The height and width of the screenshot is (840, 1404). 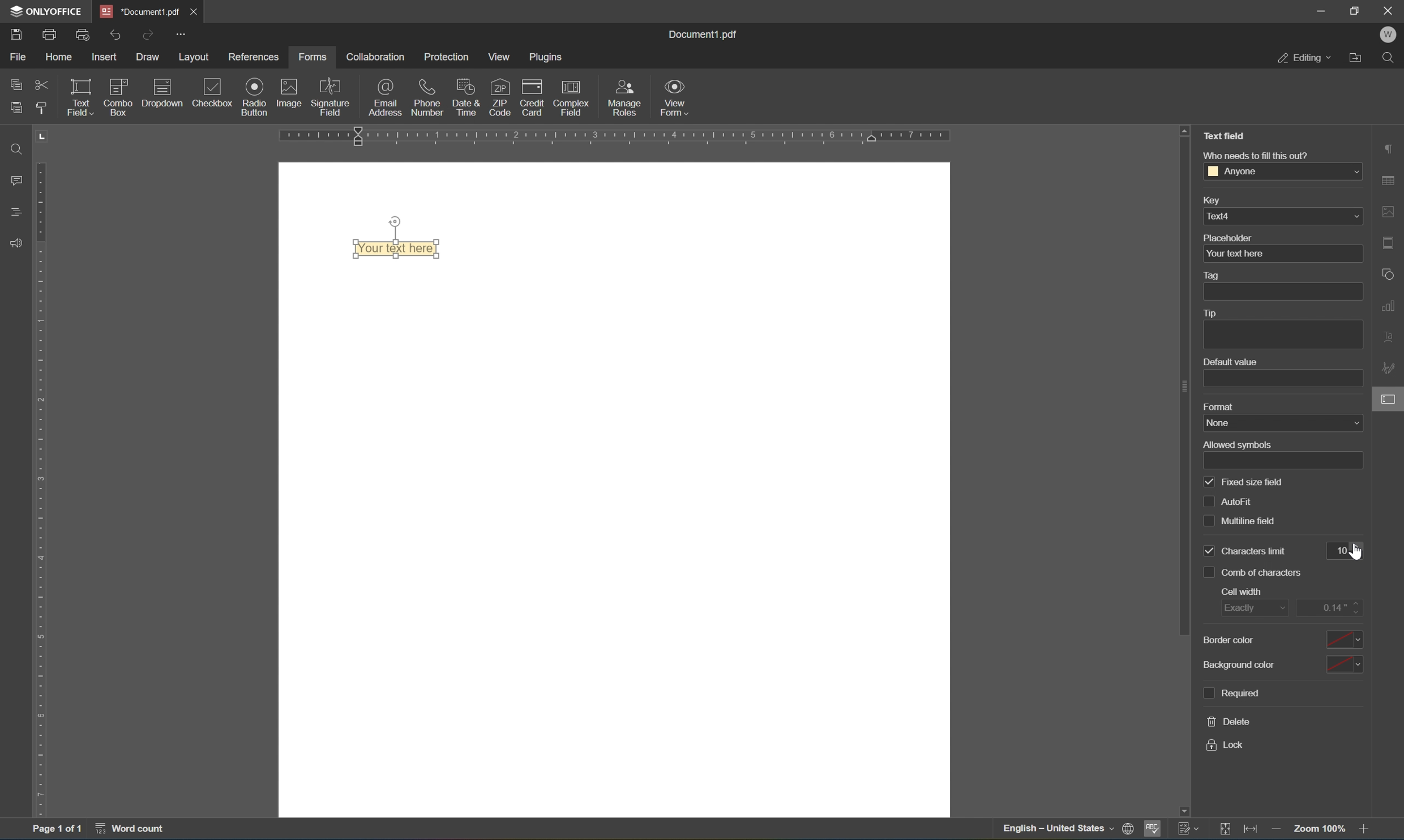 What do you see at coordinates (333, 98) in the screenshot?
I see `signature field` at bounding box center [333, 98].